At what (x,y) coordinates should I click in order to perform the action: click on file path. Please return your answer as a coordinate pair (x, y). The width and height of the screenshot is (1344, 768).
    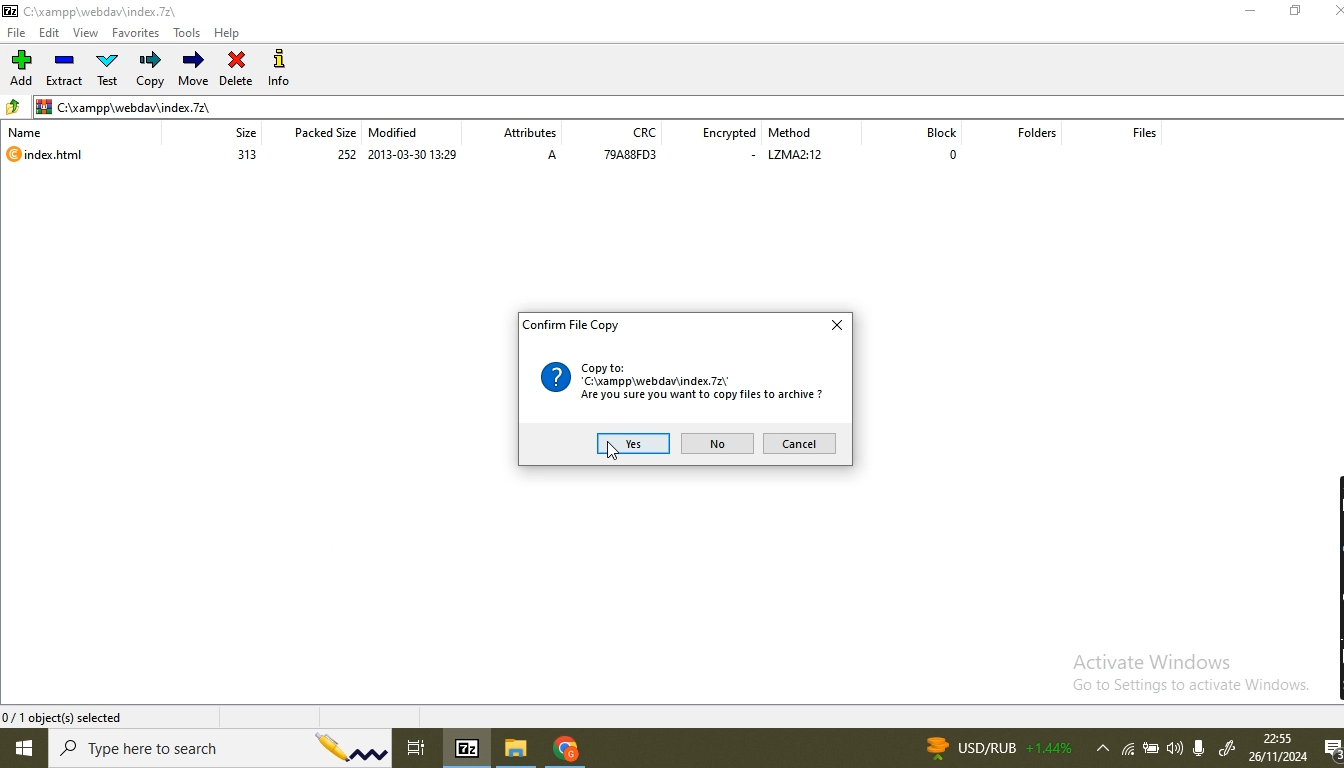
    Looking at the image, I should click on (688, 103).